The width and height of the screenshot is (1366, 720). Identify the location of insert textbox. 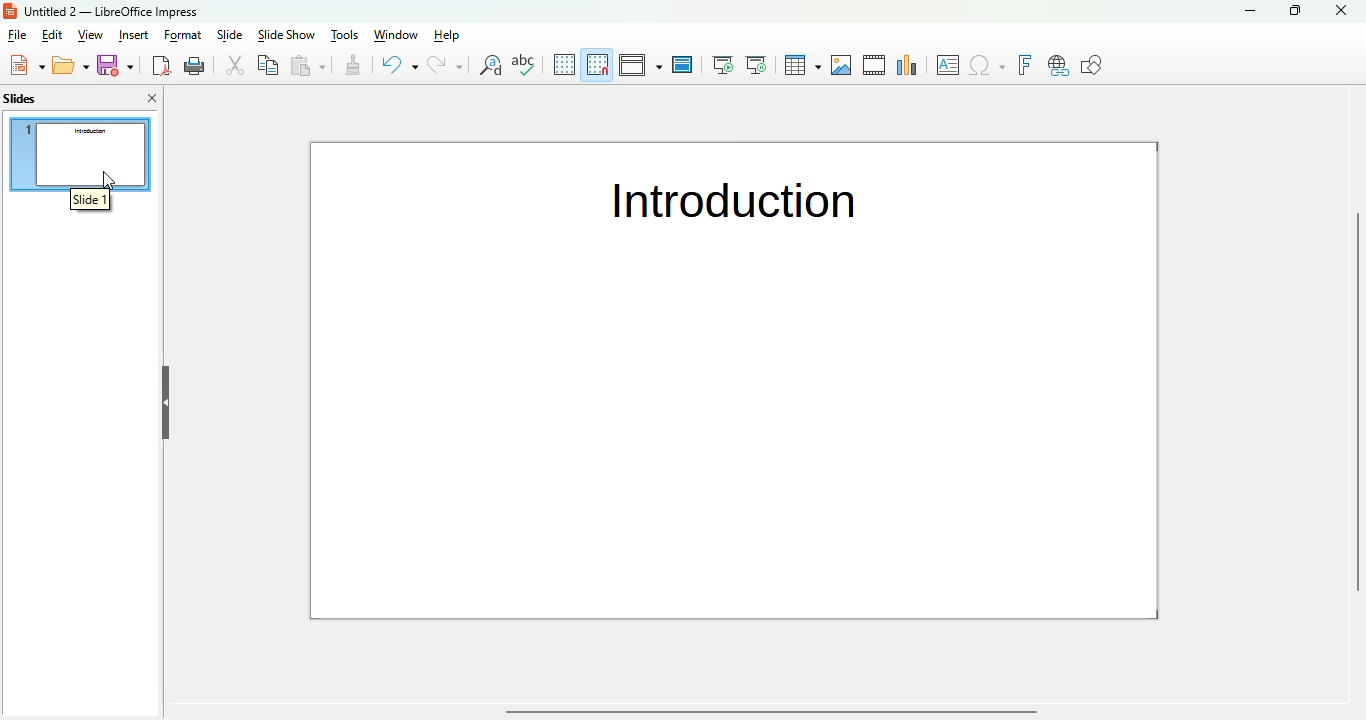
(948, 65).